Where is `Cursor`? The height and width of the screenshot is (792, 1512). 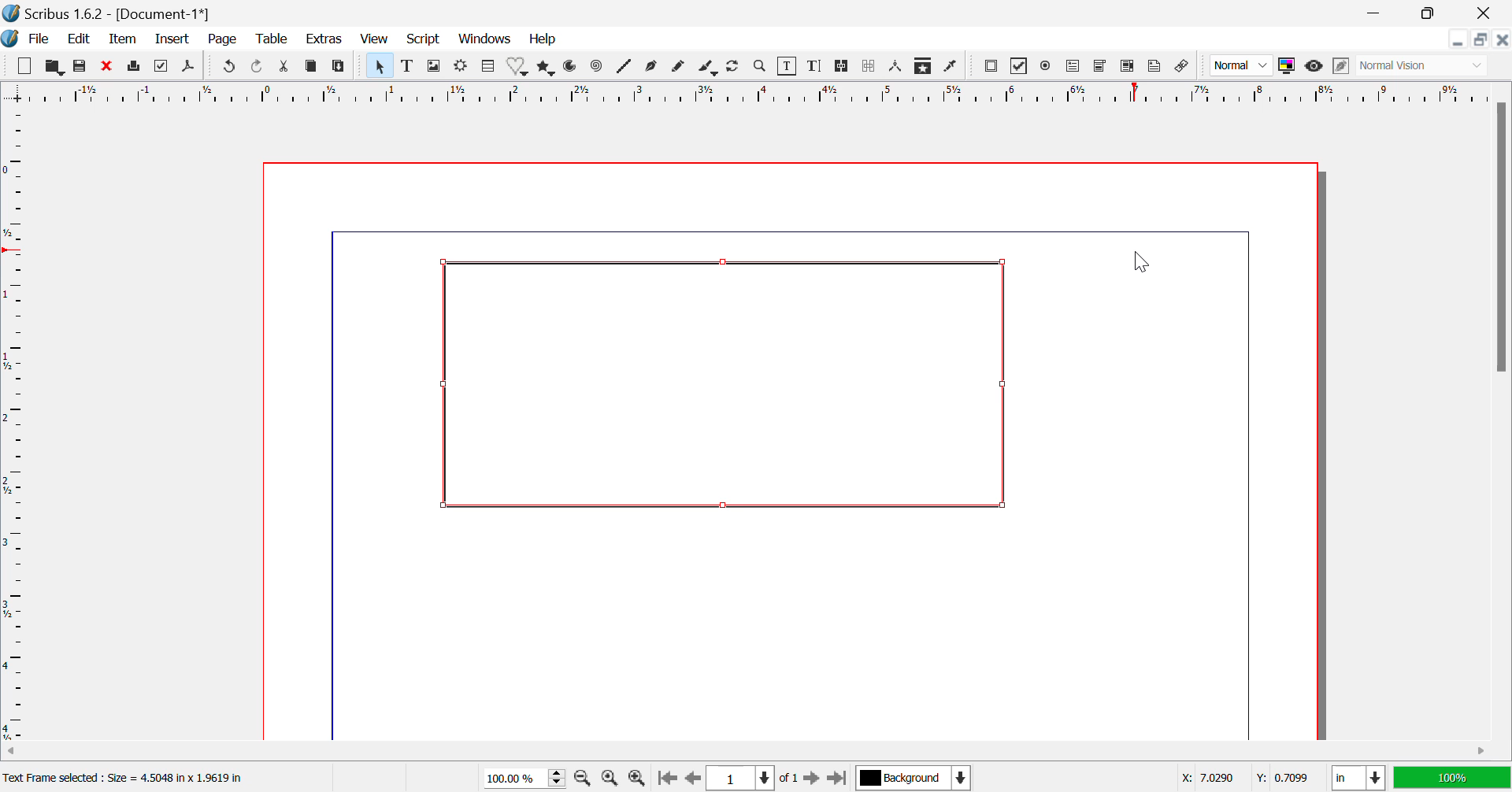 Cursor is located at coordinates (1145, 266).